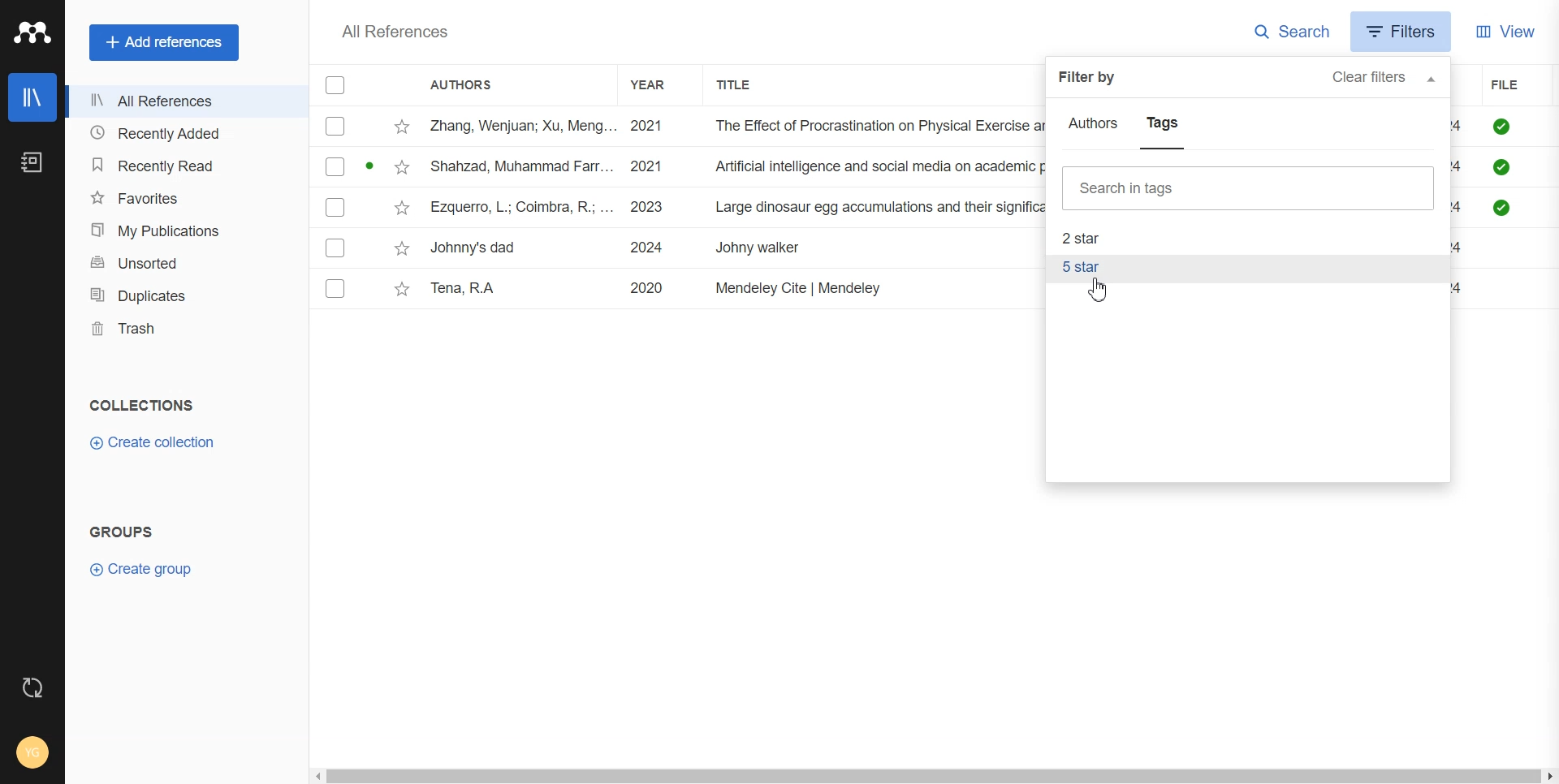 The image size is (1559, 784). What do you see at coordinates (1243, 239) in the screenshot?
I see `2 star` at bounding box center [1243, 239].